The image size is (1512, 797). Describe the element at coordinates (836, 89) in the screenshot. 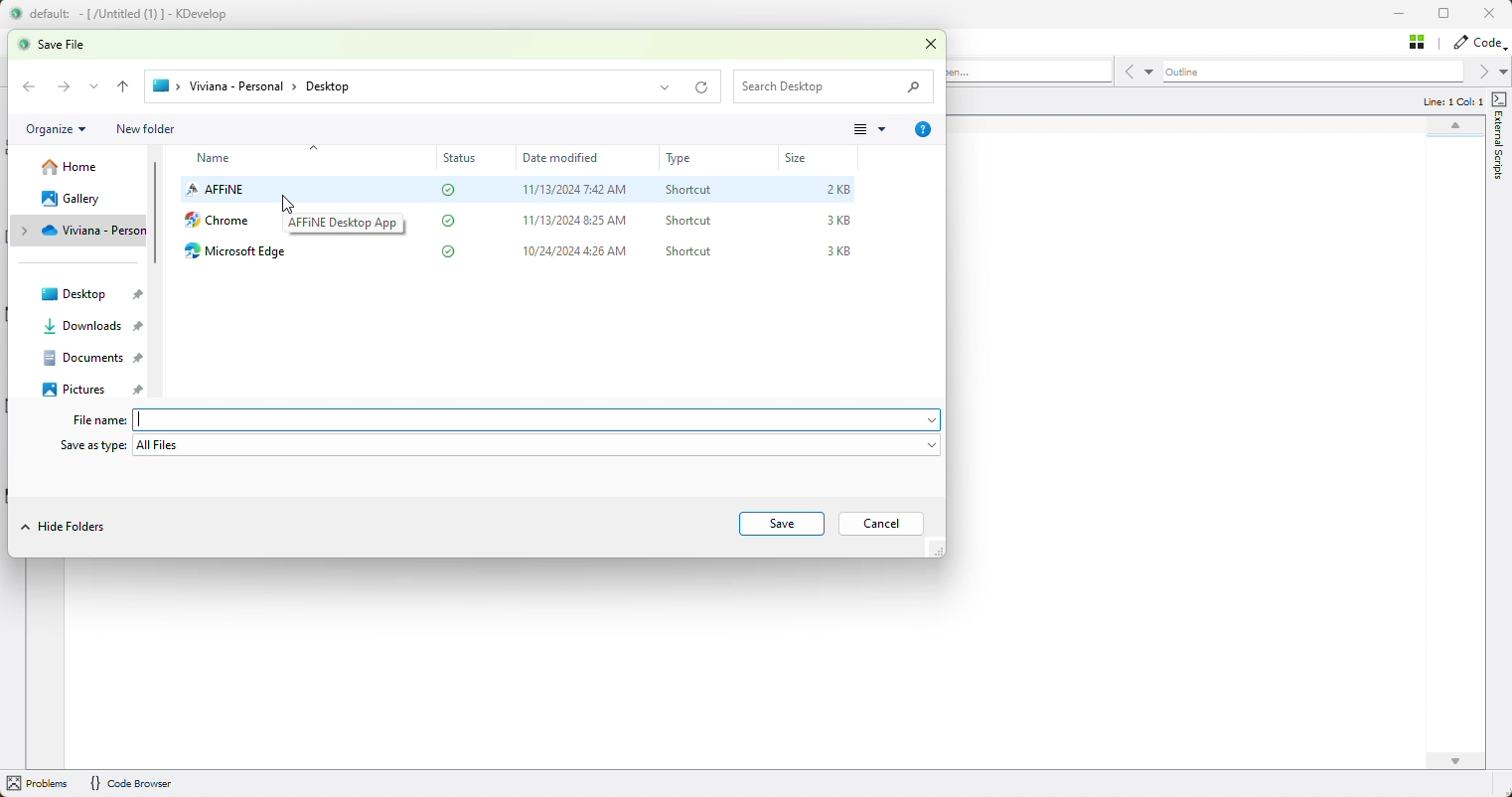

I see `search desktop` at that location.